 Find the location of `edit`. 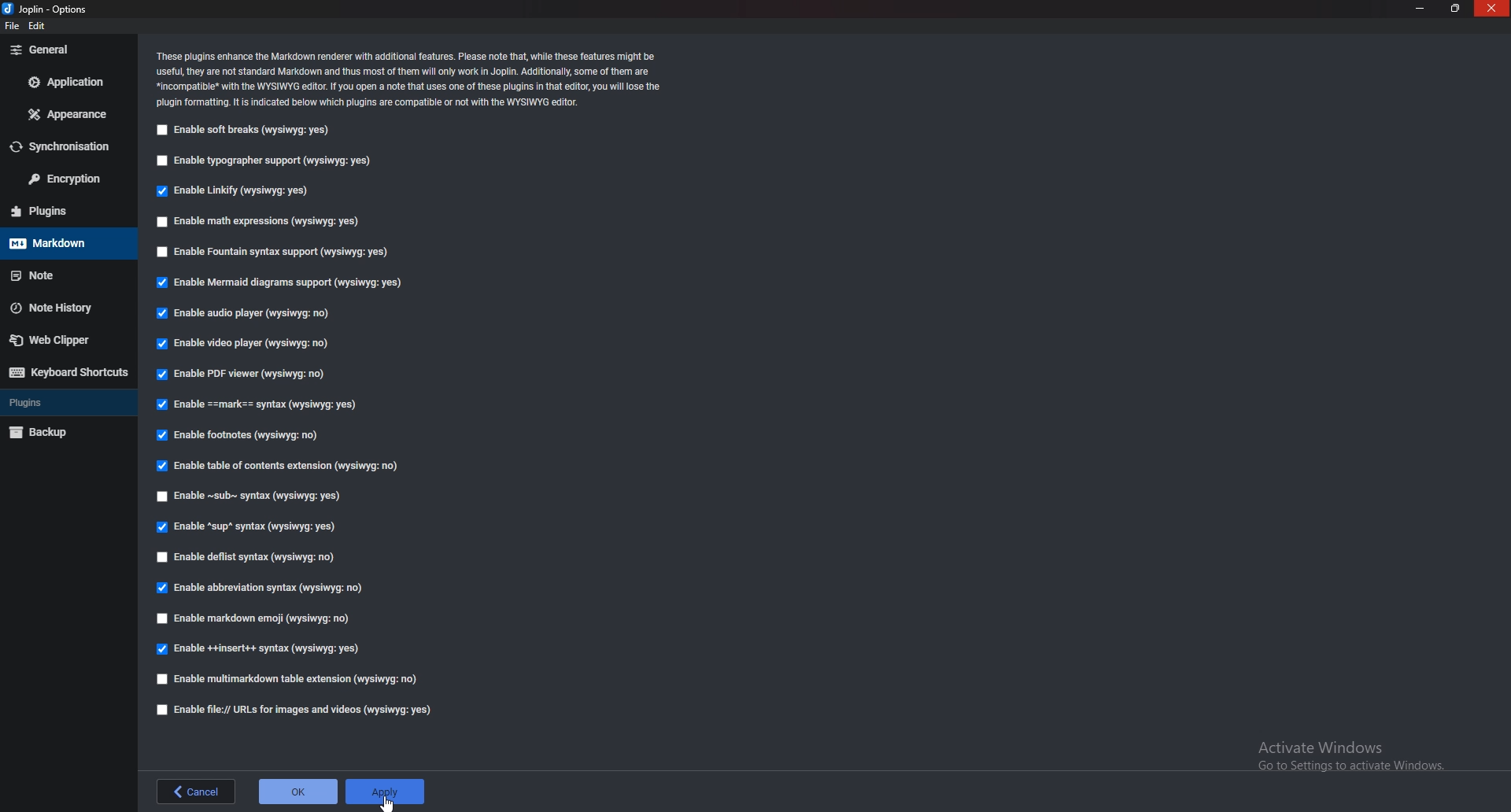

edit is located at coordinates (39, 27).